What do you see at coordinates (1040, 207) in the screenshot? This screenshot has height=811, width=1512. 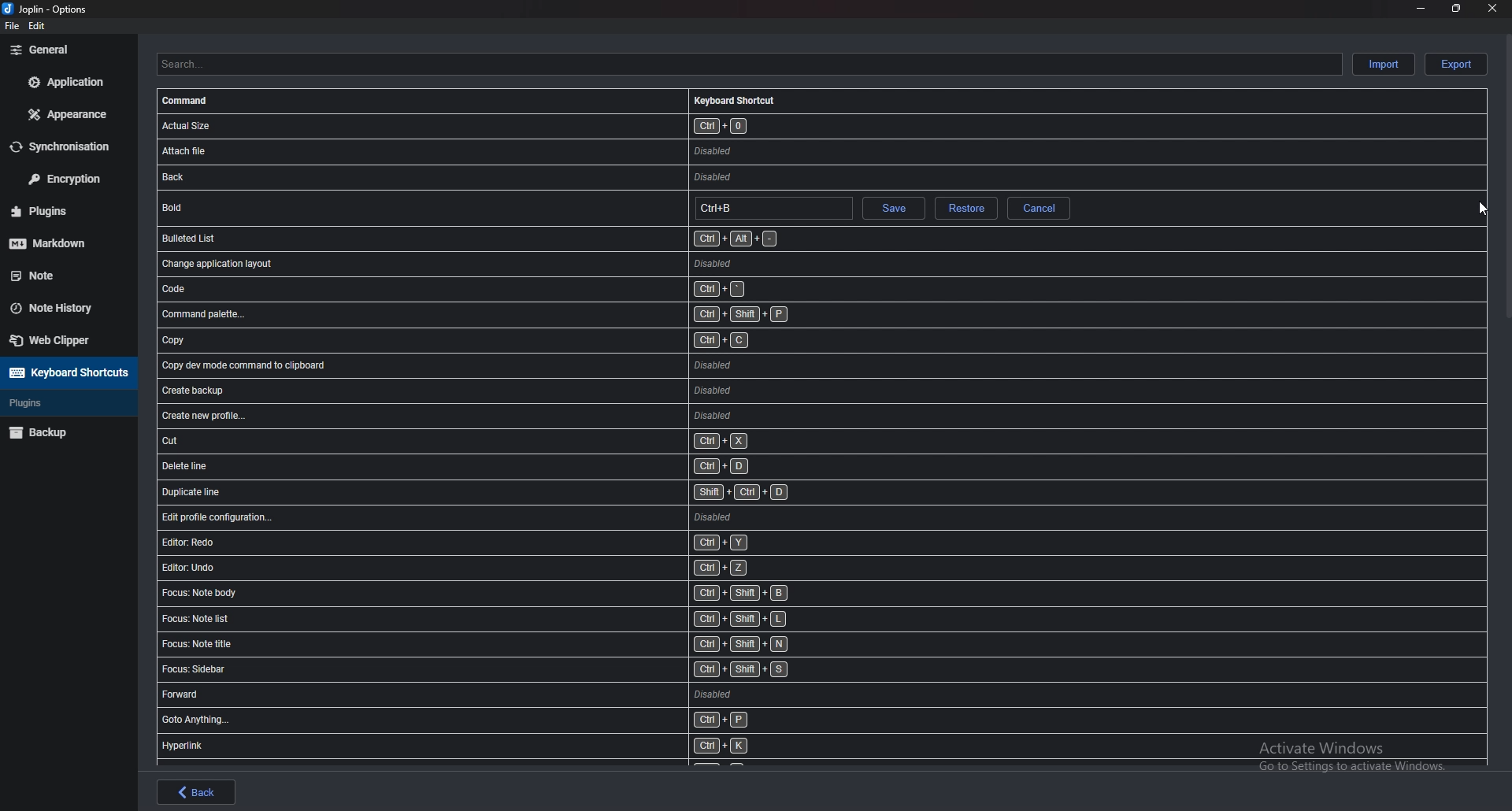 I see `Cancel` at bounding box center [1040, 207].